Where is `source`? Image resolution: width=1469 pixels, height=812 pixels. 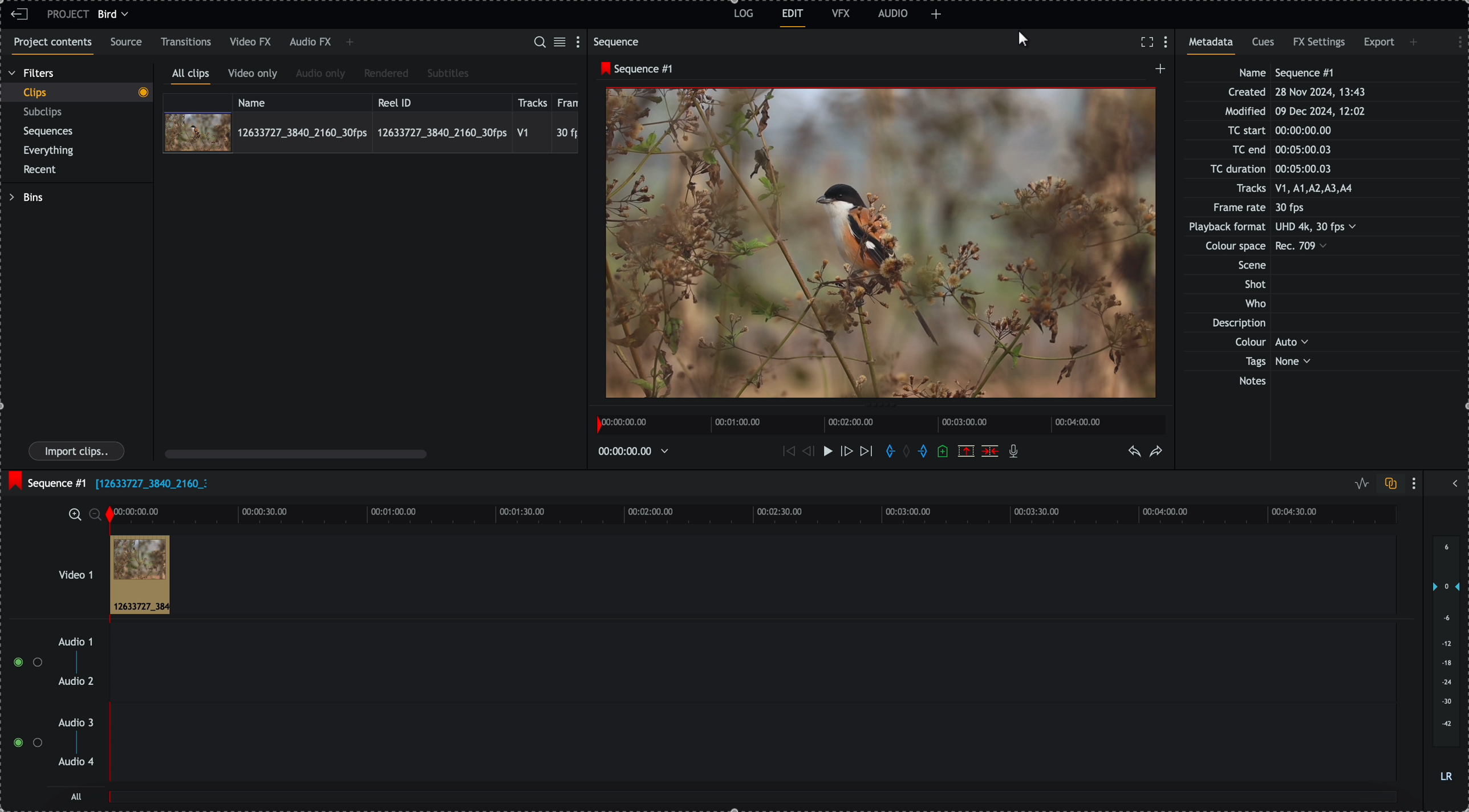 source is located at coordinates (128, 43).